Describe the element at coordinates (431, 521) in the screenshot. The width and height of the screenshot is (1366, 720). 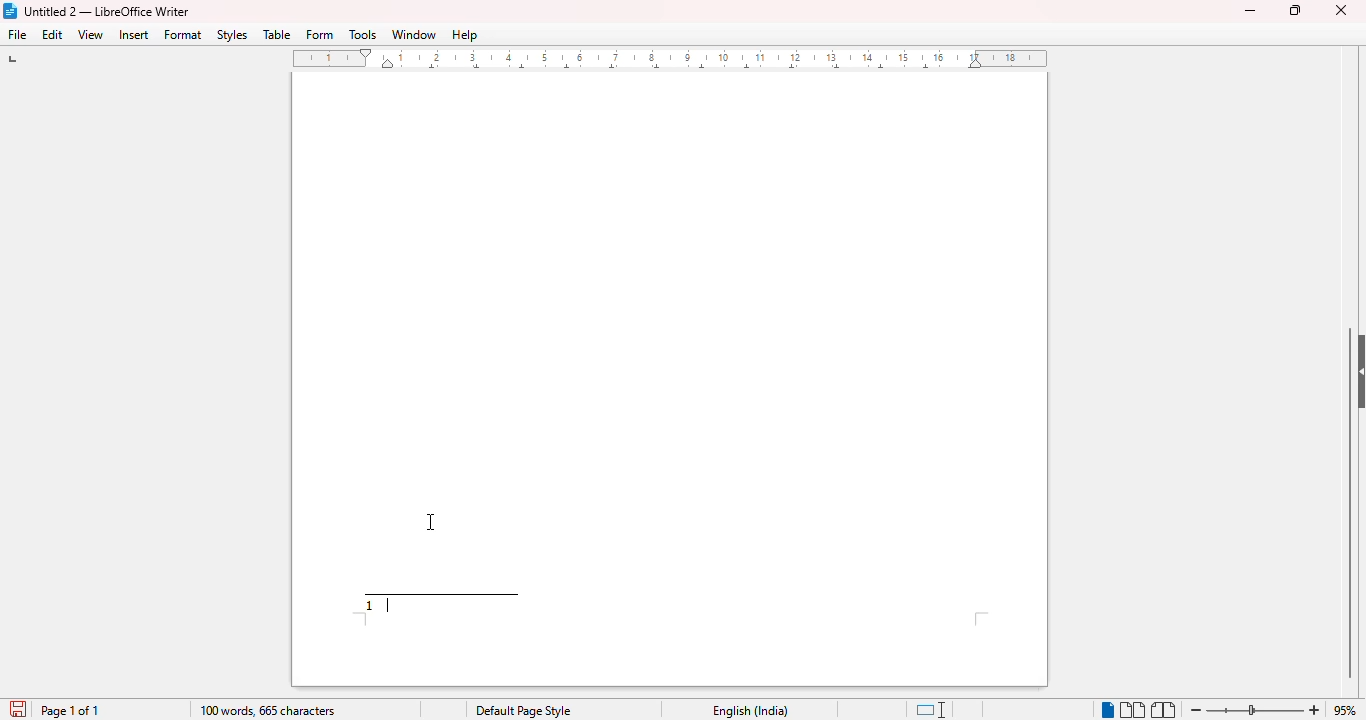
I see `cursor` at that location.